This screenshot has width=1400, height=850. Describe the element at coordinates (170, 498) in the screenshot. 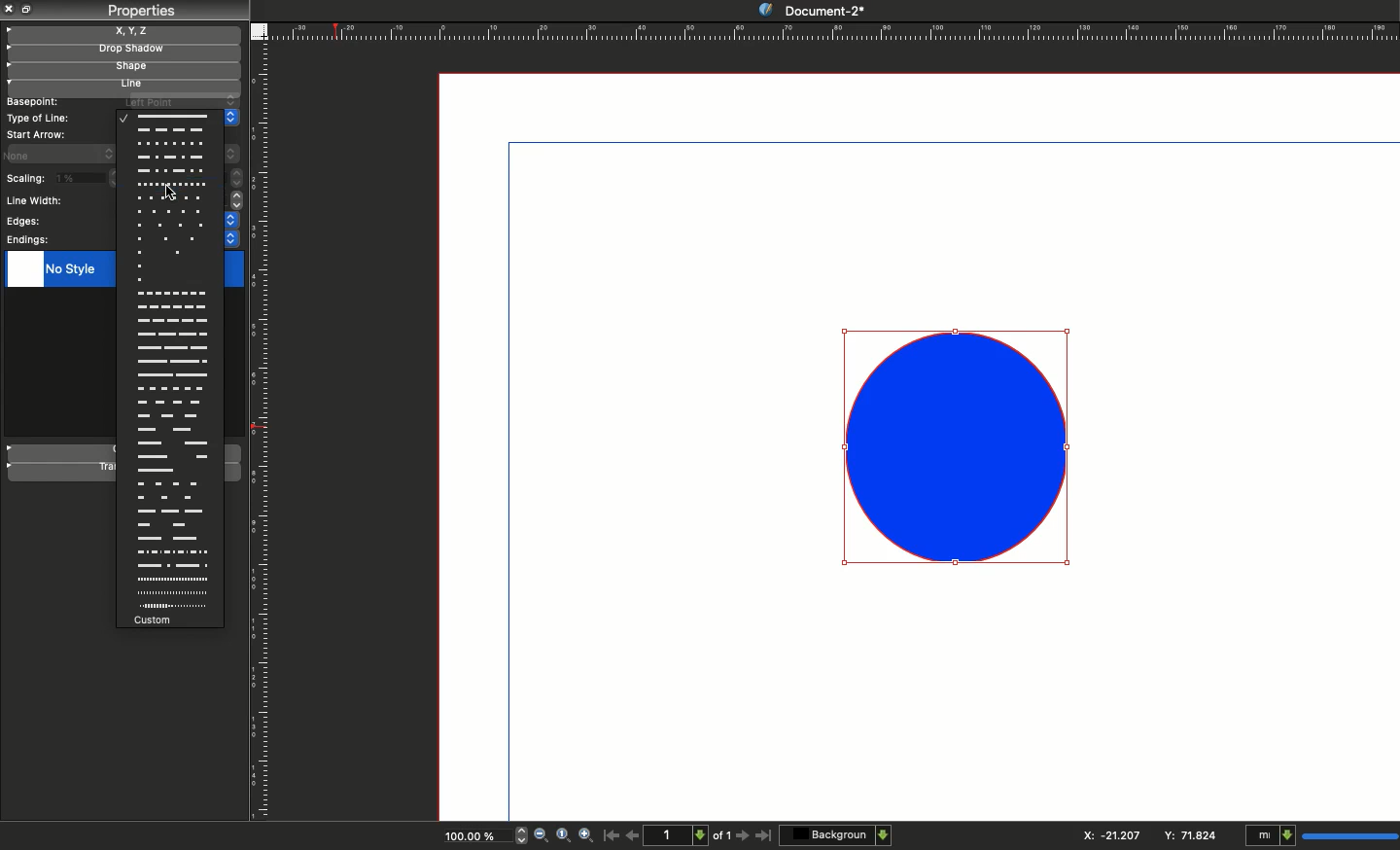

I see `line option` at that location.